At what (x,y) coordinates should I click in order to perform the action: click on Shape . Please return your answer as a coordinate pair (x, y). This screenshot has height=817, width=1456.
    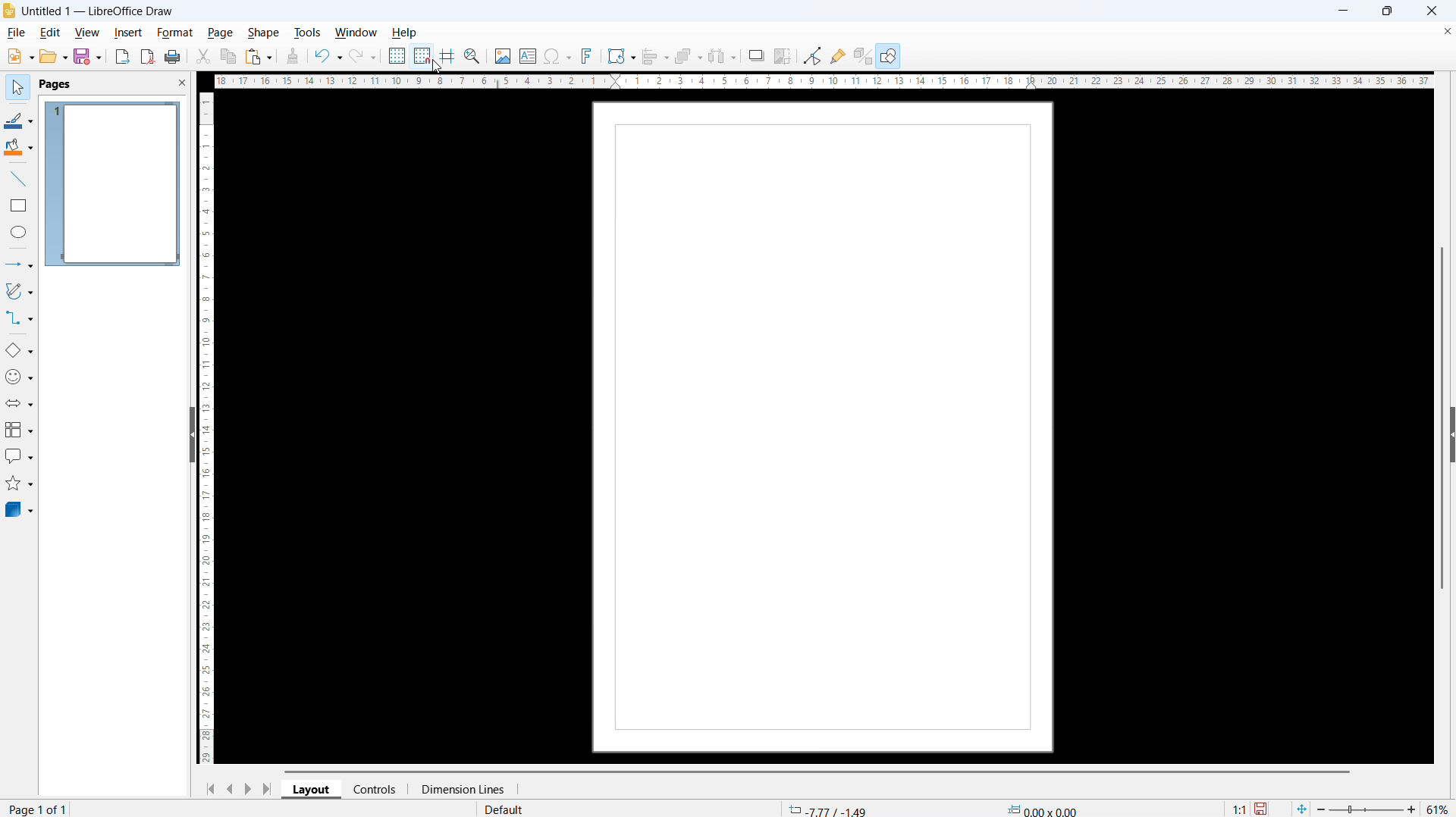
    Looking at the image, I should click on (263, 33).